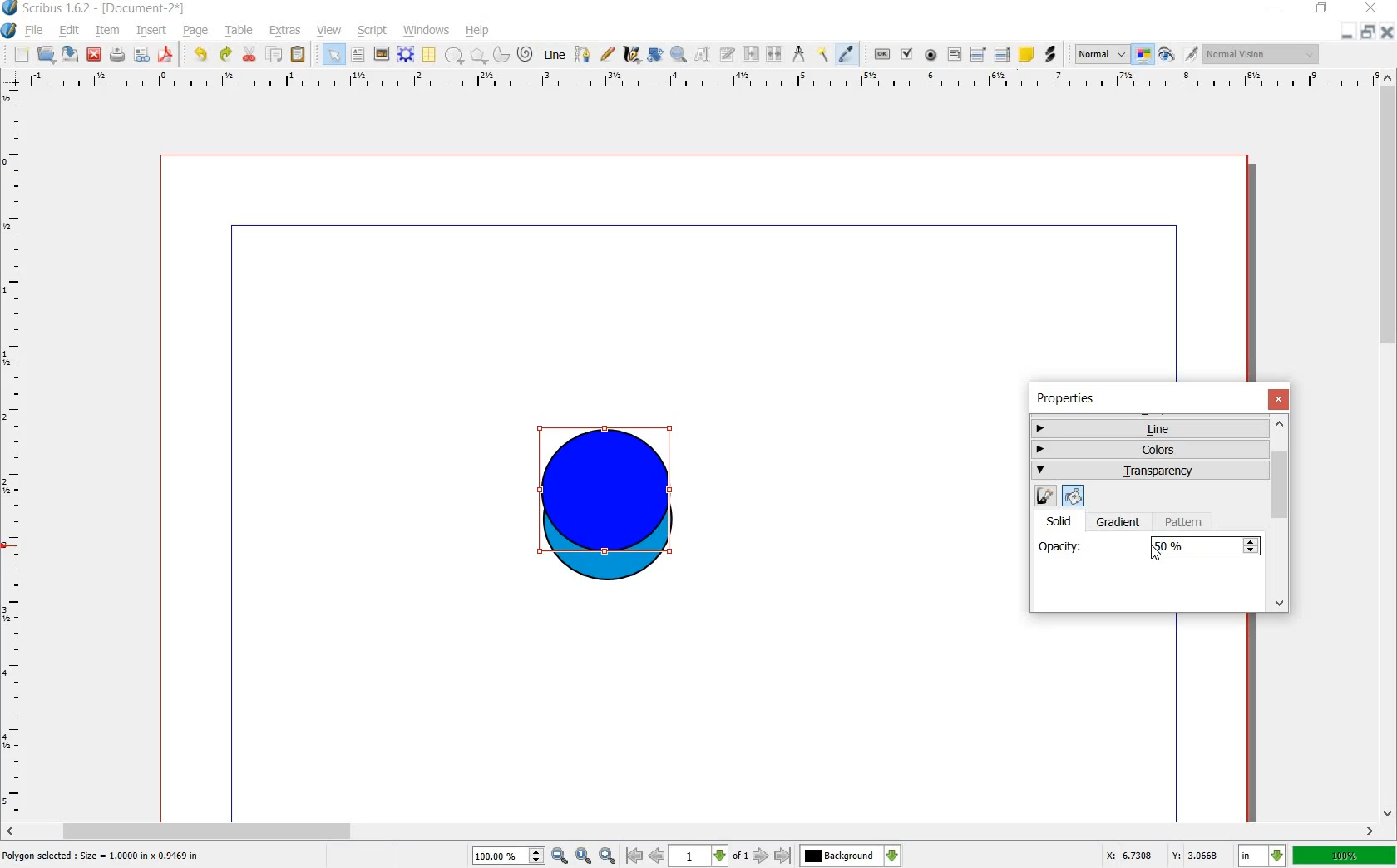  What do you see at coordinates (152, 32) in the screenshot?
I see `insert` at bounding box center [152, 32].